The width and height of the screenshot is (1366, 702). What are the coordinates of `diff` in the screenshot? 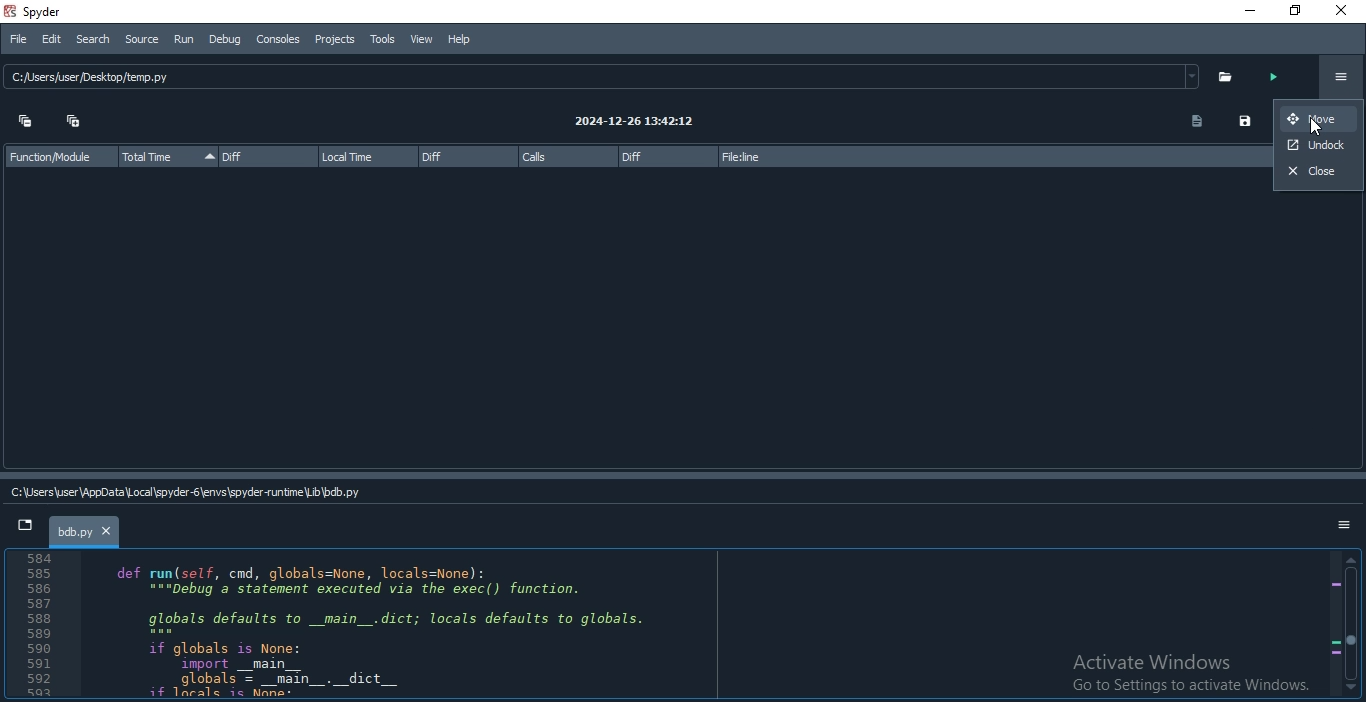 It's located at (664, 156).